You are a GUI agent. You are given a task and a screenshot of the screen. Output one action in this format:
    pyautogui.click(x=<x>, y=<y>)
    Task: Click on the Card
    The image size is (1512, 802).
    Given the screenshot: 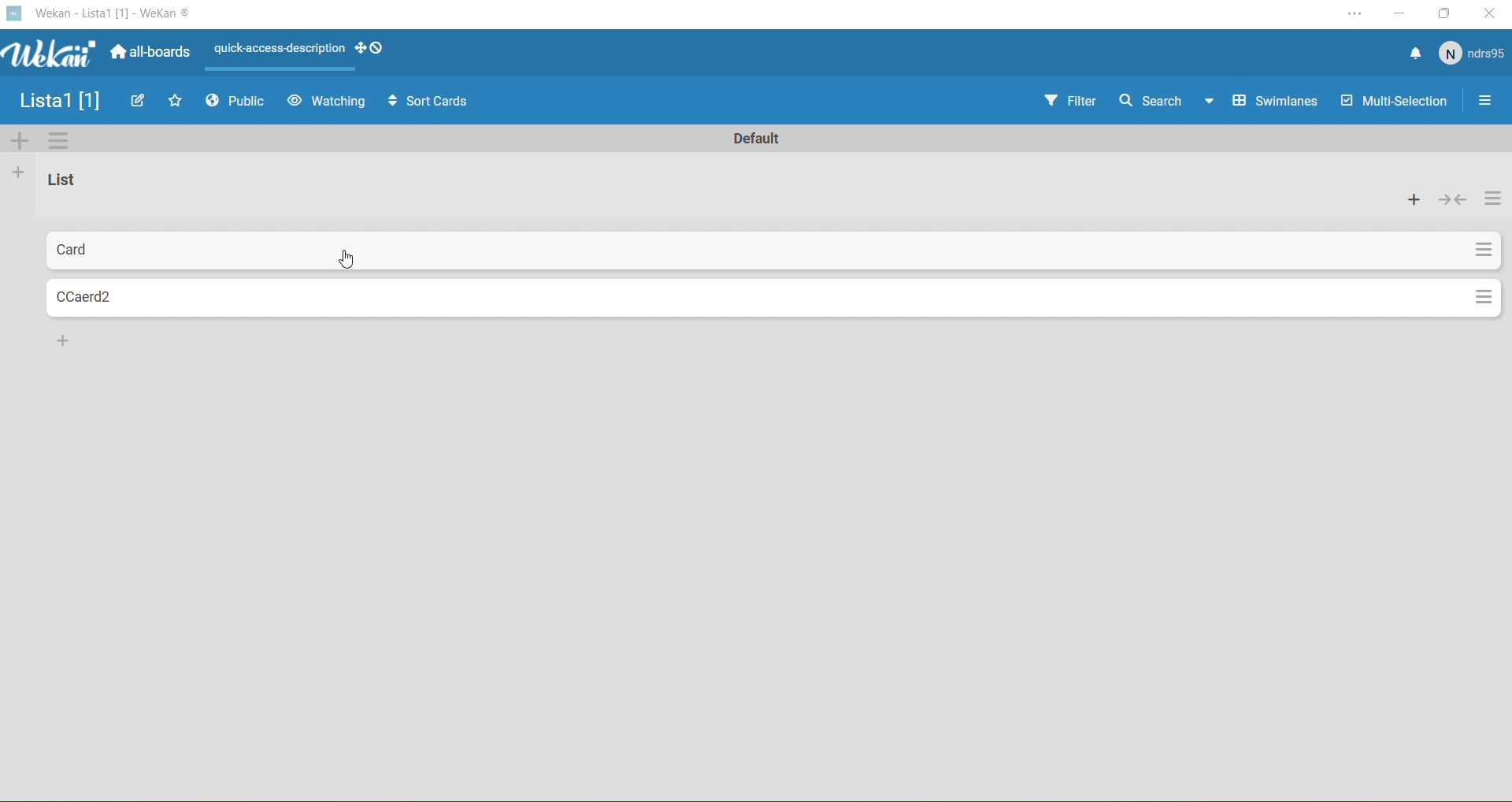 What is the action you would take?
    pyautogui.click(x=747, y=251)
    